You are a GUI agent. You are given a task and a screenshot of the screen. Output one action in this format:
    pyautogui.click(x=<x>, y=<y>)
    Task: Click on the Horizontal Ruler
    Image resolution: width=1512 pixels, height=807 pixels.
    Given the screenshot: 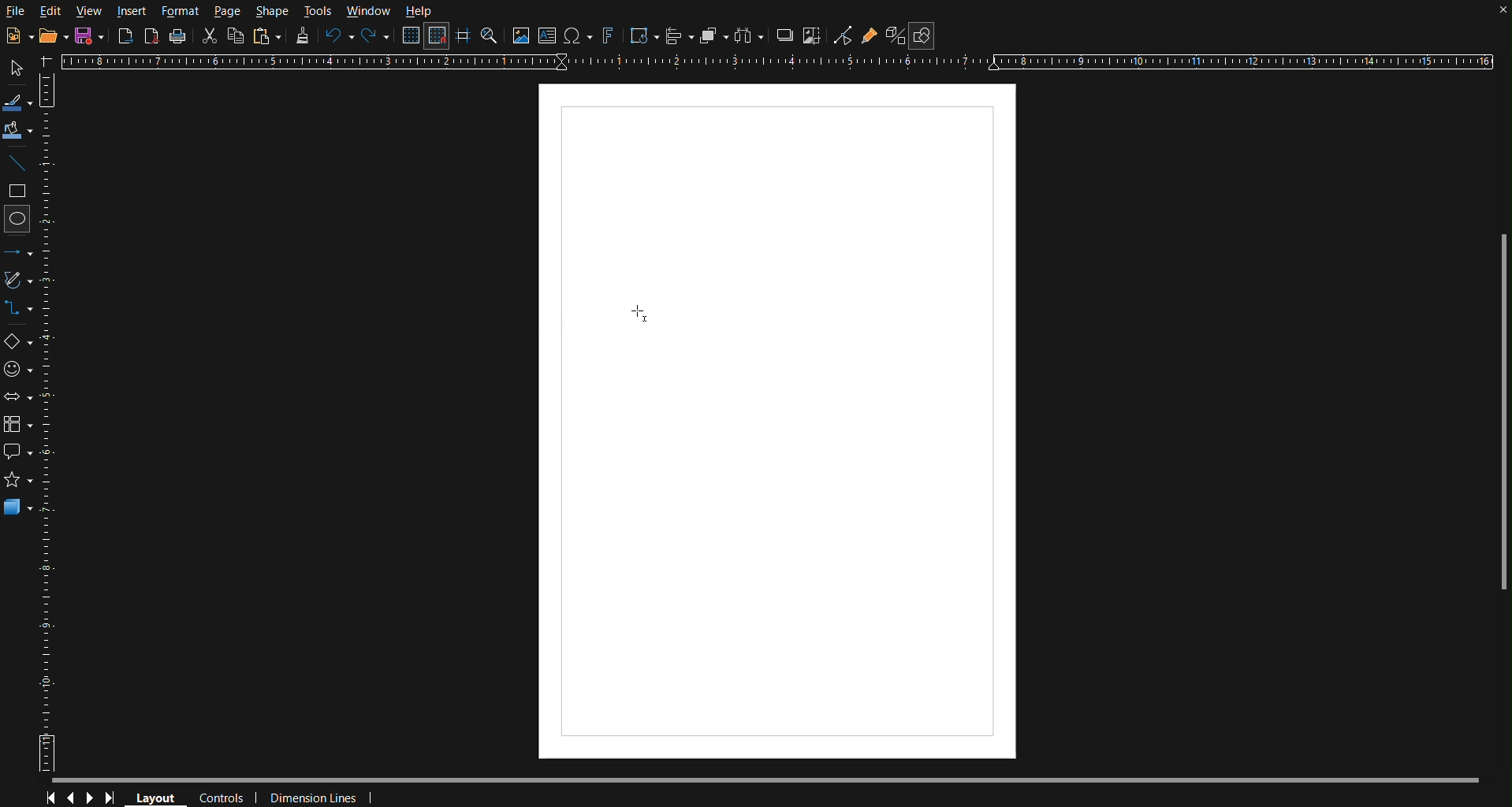 What is the action you would take?
    pyautogui.click(x=784, y=62)
    